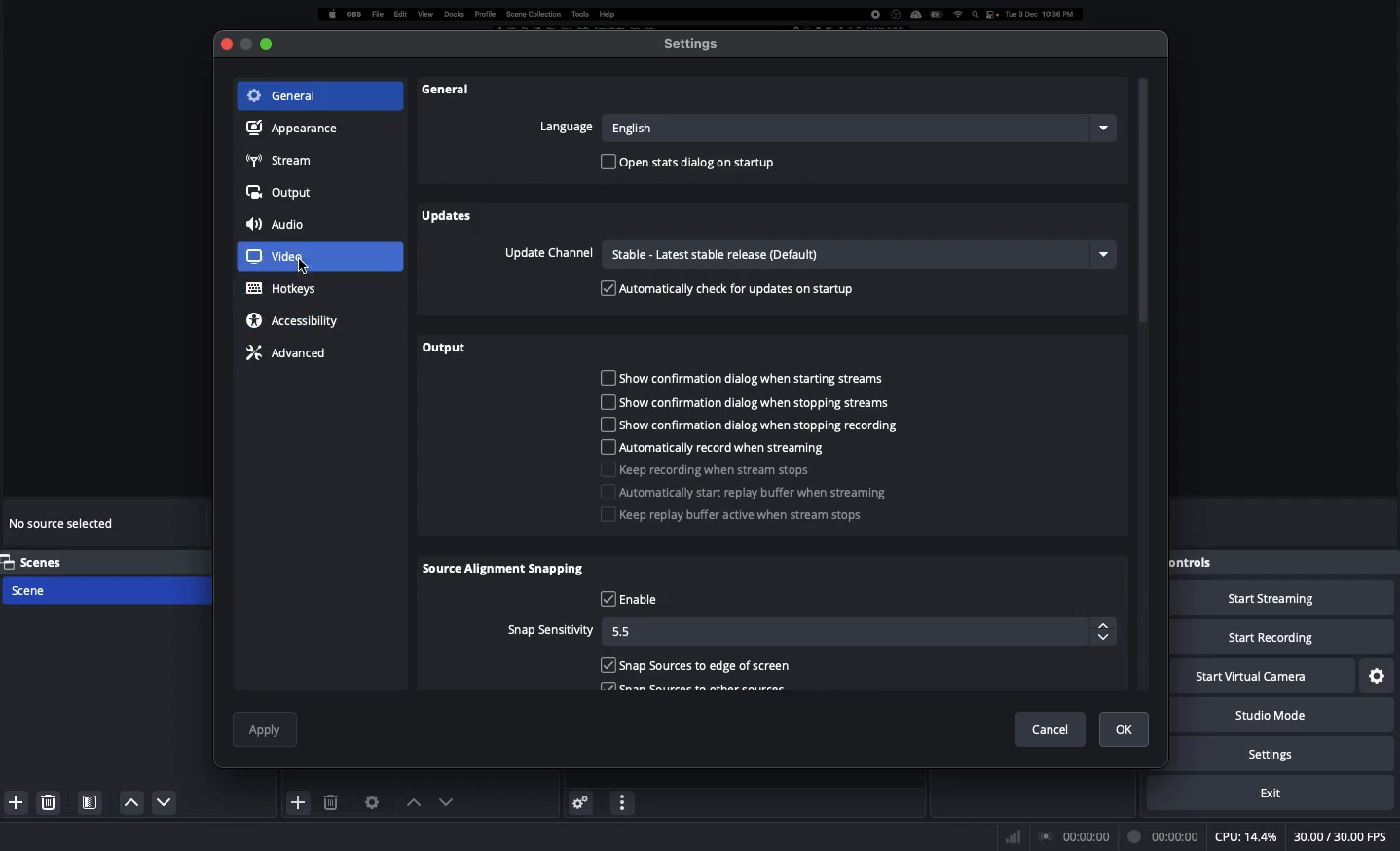 This screenshot has width=1400, height=851. Describe the element at coordinates (1283, 639) in the screenshot. I see `Start recording` at that location.